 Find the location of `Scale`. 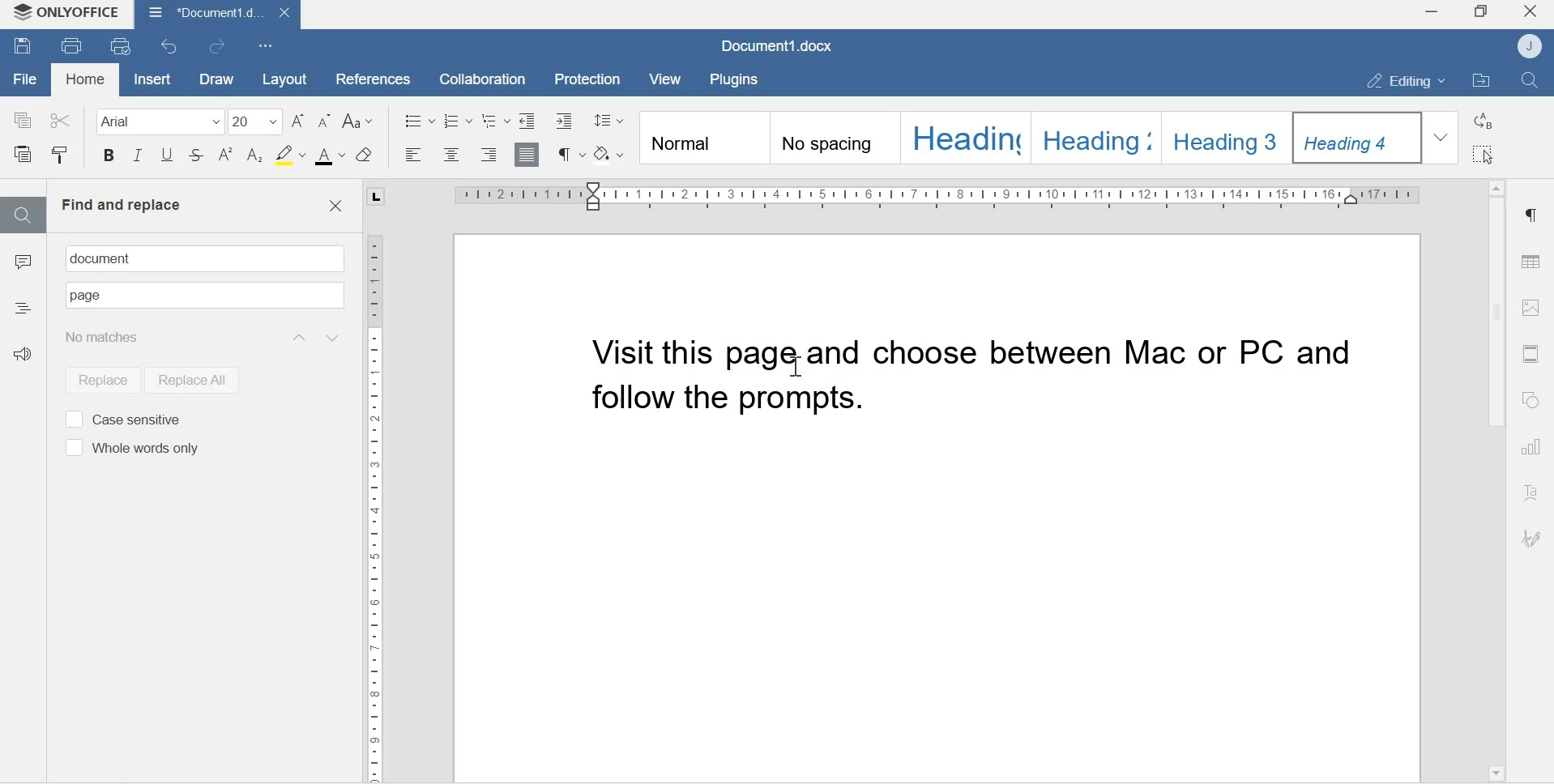

Scale is located at coordinates (375, 501).